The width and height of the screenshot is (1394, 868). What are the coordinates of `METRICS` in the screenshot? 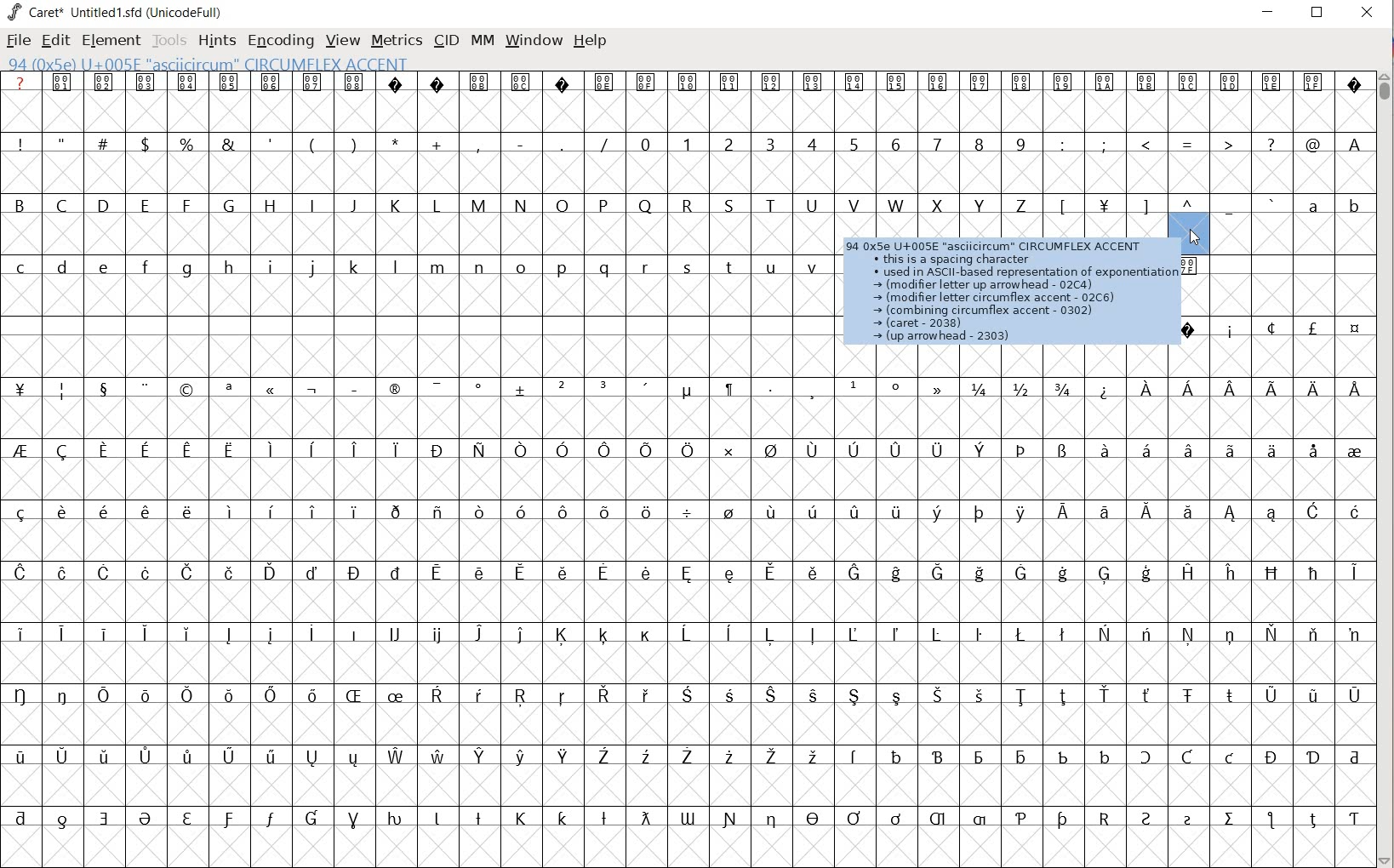 It's located at (397, 41).